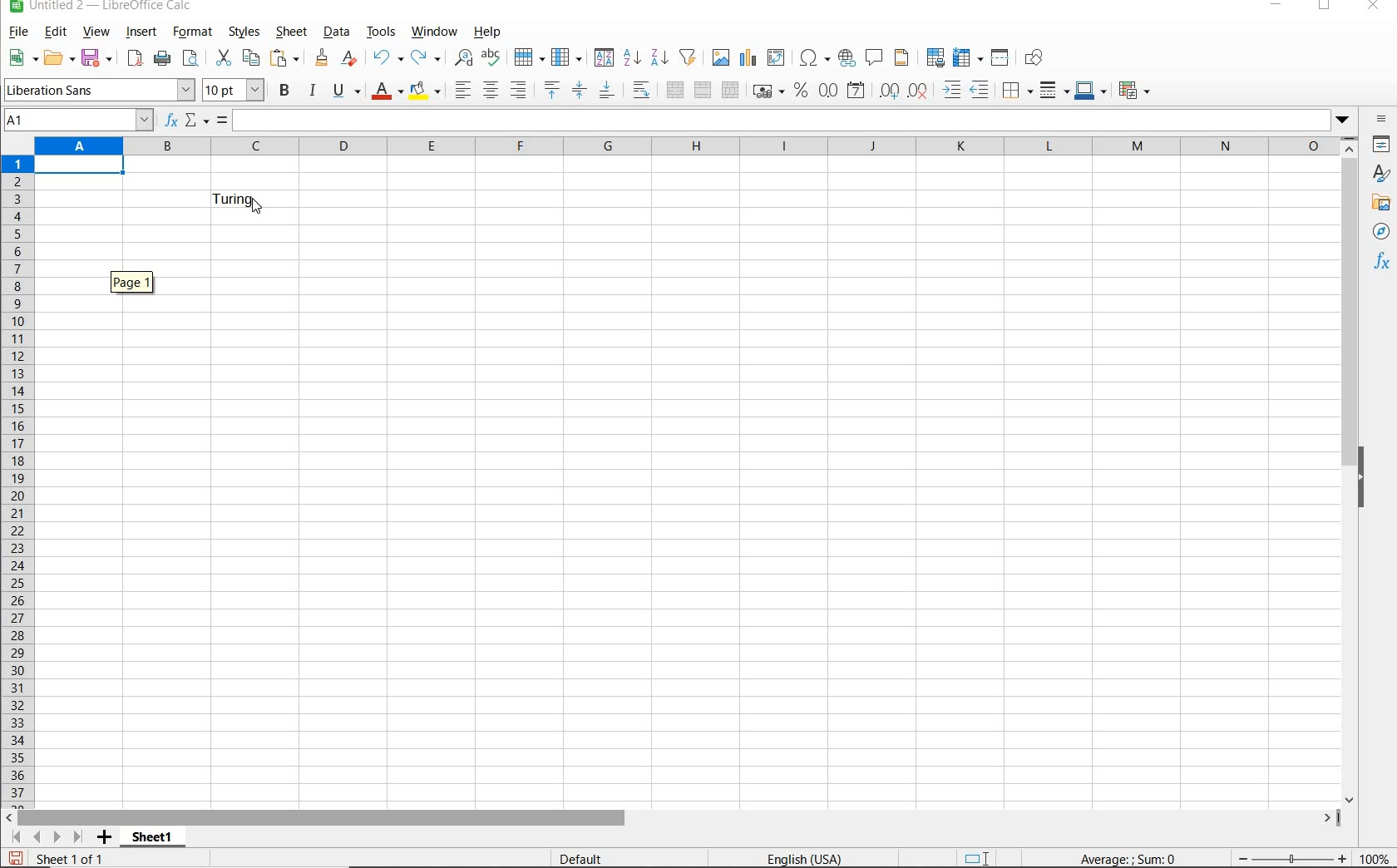 The height and width of the screenshot is (868, 1397). What do you see at coordinates (437, 33) in the screenshot?
I see `WINDOW` at bounding box center [437, 33].